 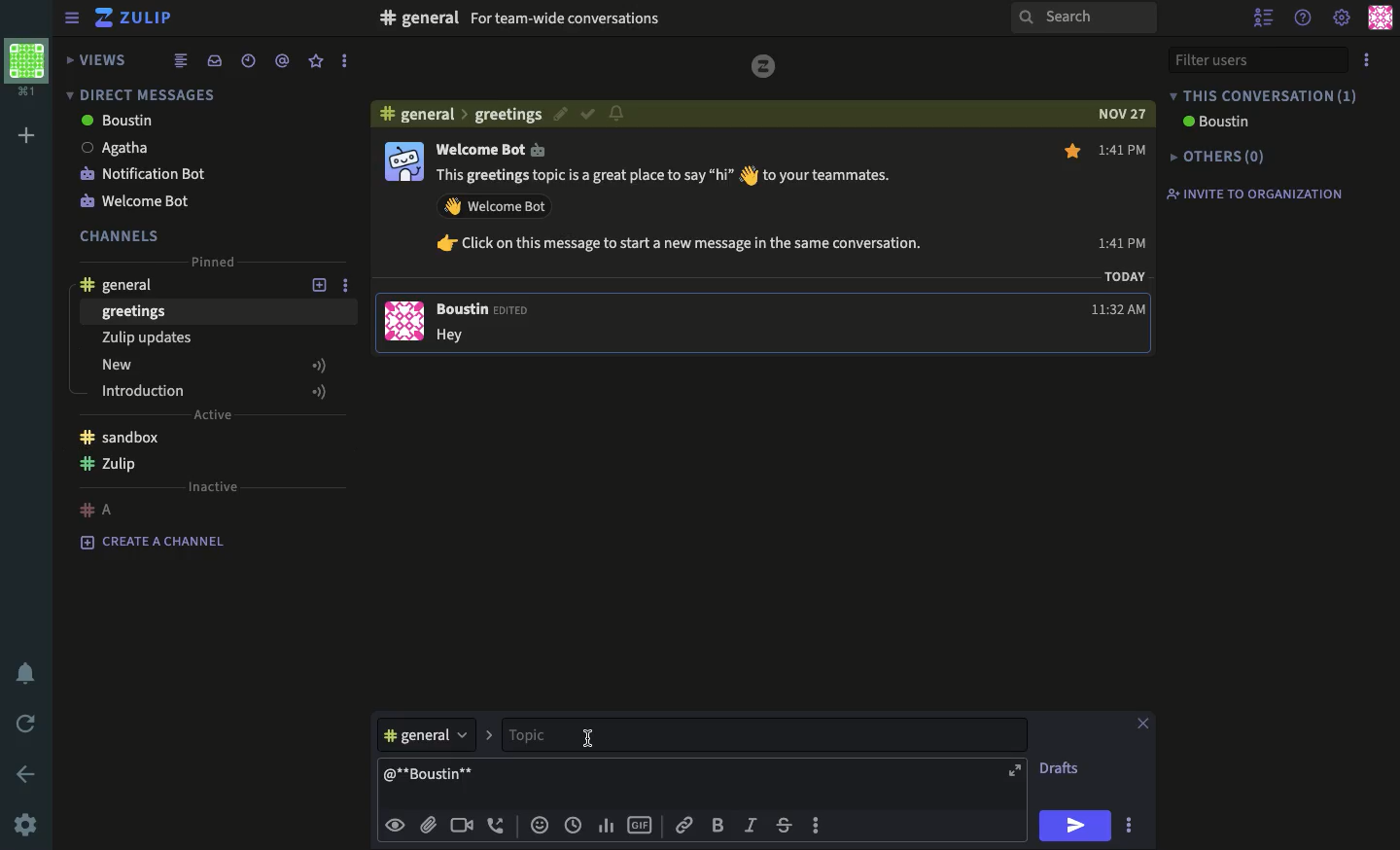 What do you see at coordinates (317, 61) in the screenshot?
I see `favorite` at bounding box center [317, 61].